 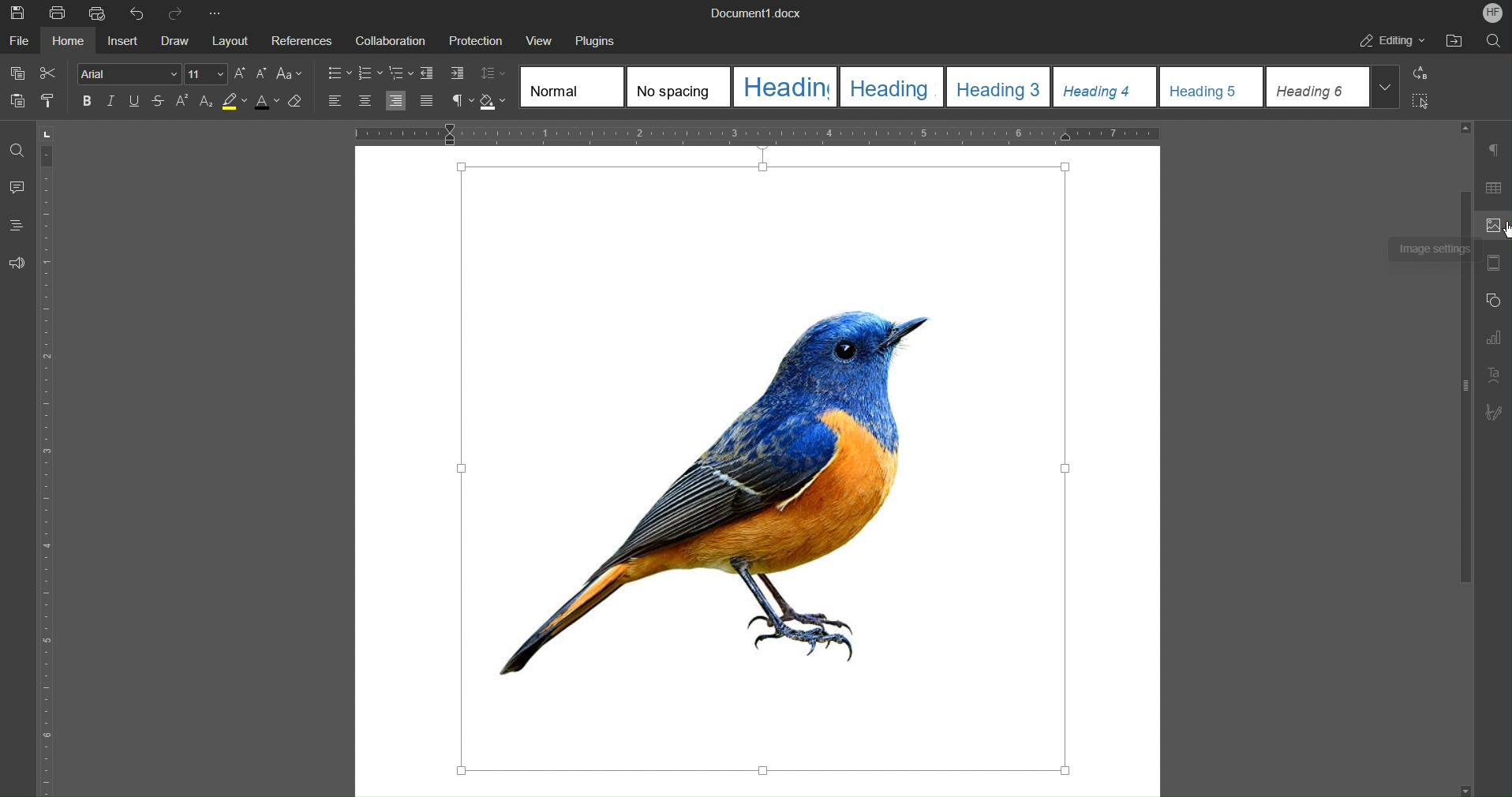 I want to click on Insert, so click(x=124, y=39).